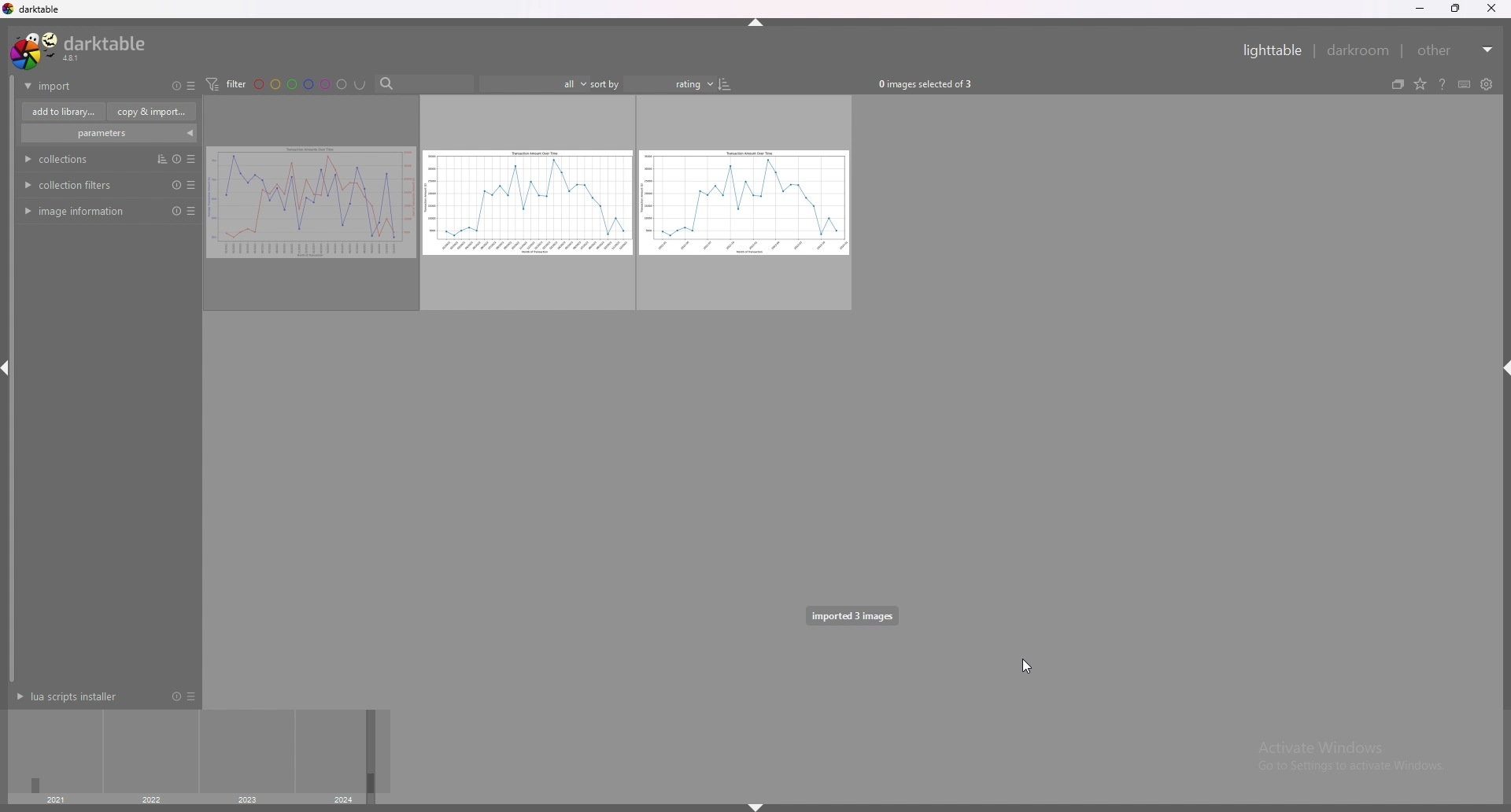 This screenshot has width=1511, height=812. I want to click on maximize, so click(1457, 9).